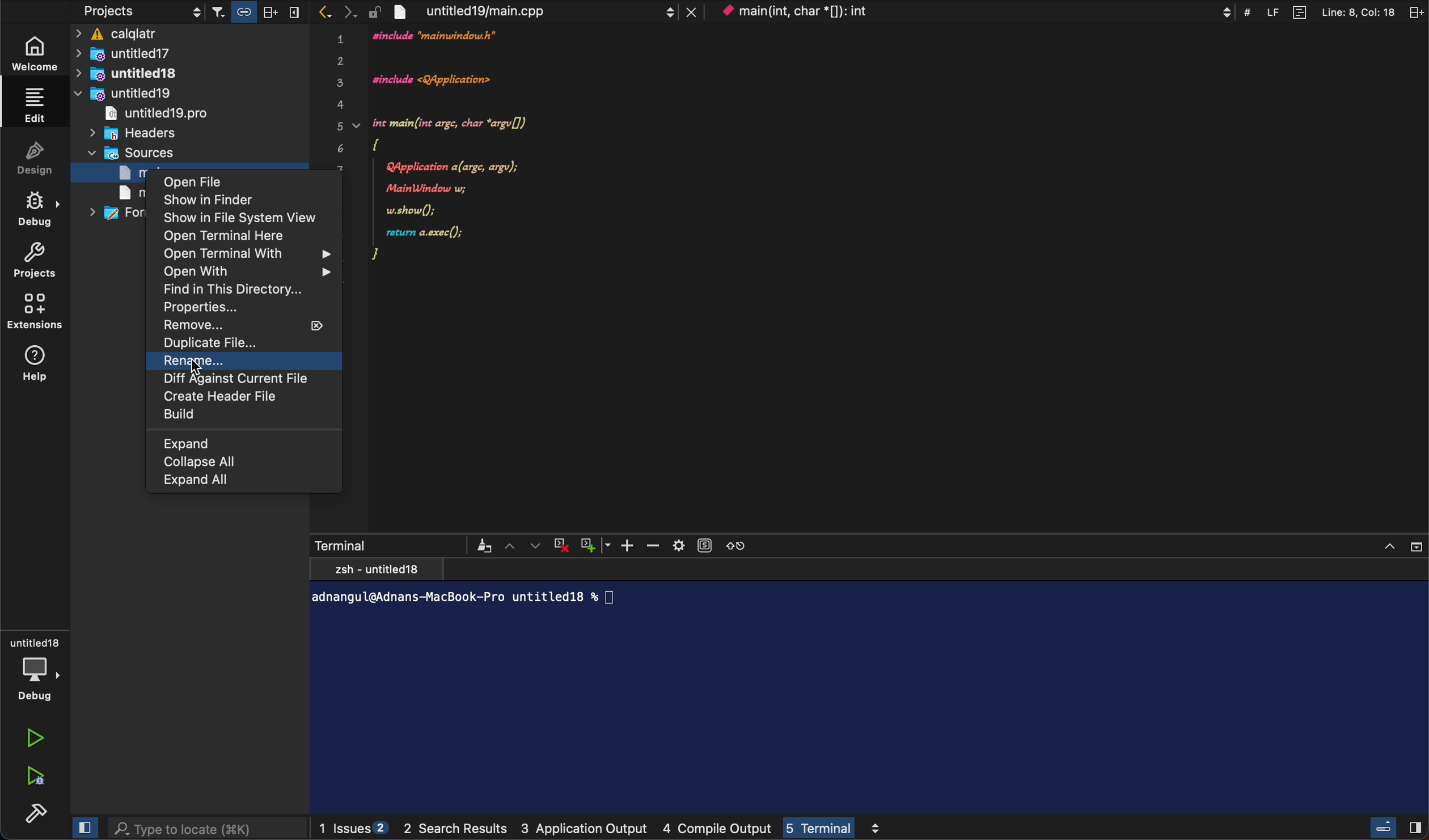 The image size is (1429, 840). Describe the element at coordinates (511, 545) in the screenshot. I see `Up` at that location.